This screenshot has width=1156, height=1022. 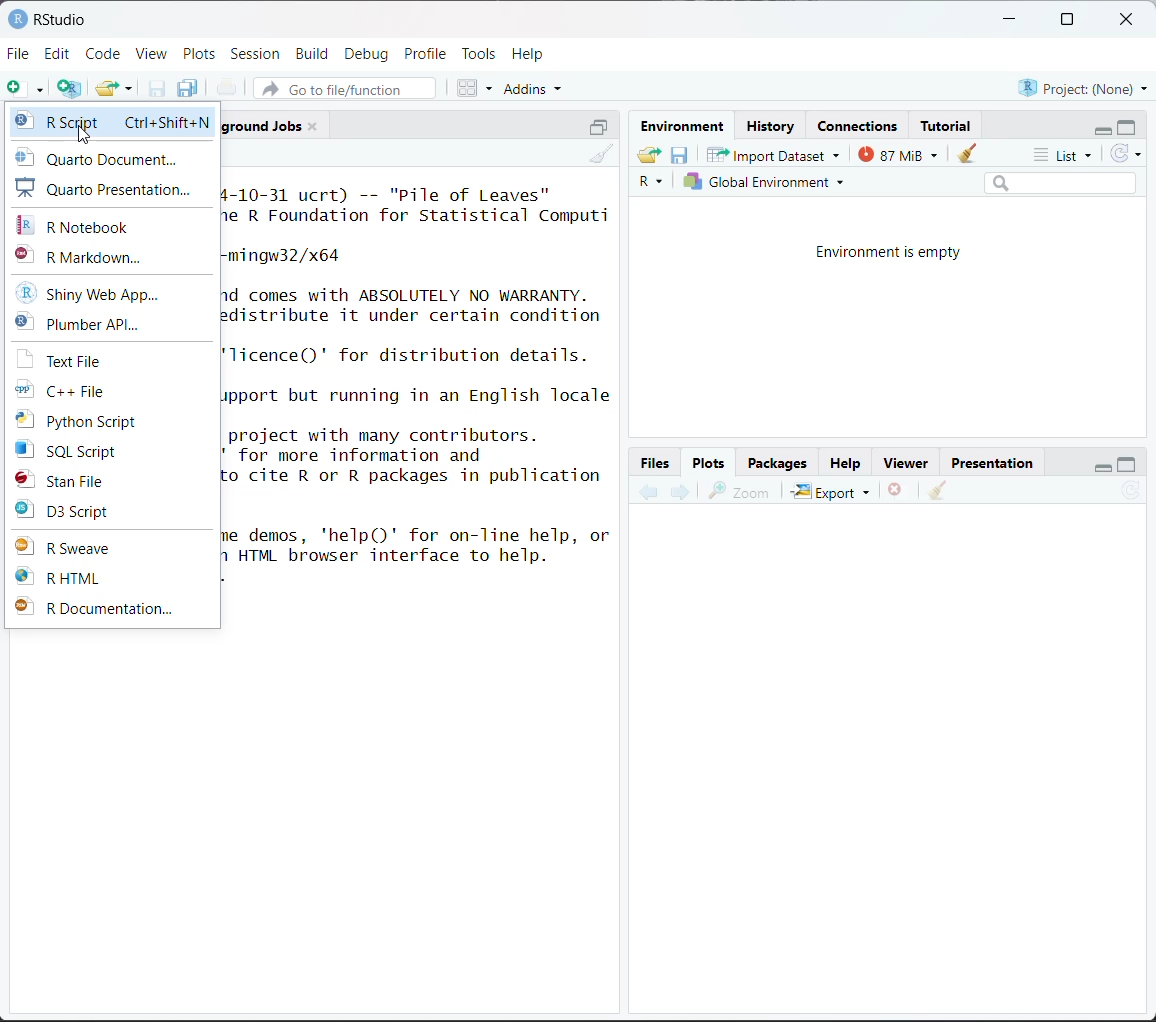 What do you see at coordinates (860, 126) in the screenshot?
I see `Connections` at bounding box center [860, 126].